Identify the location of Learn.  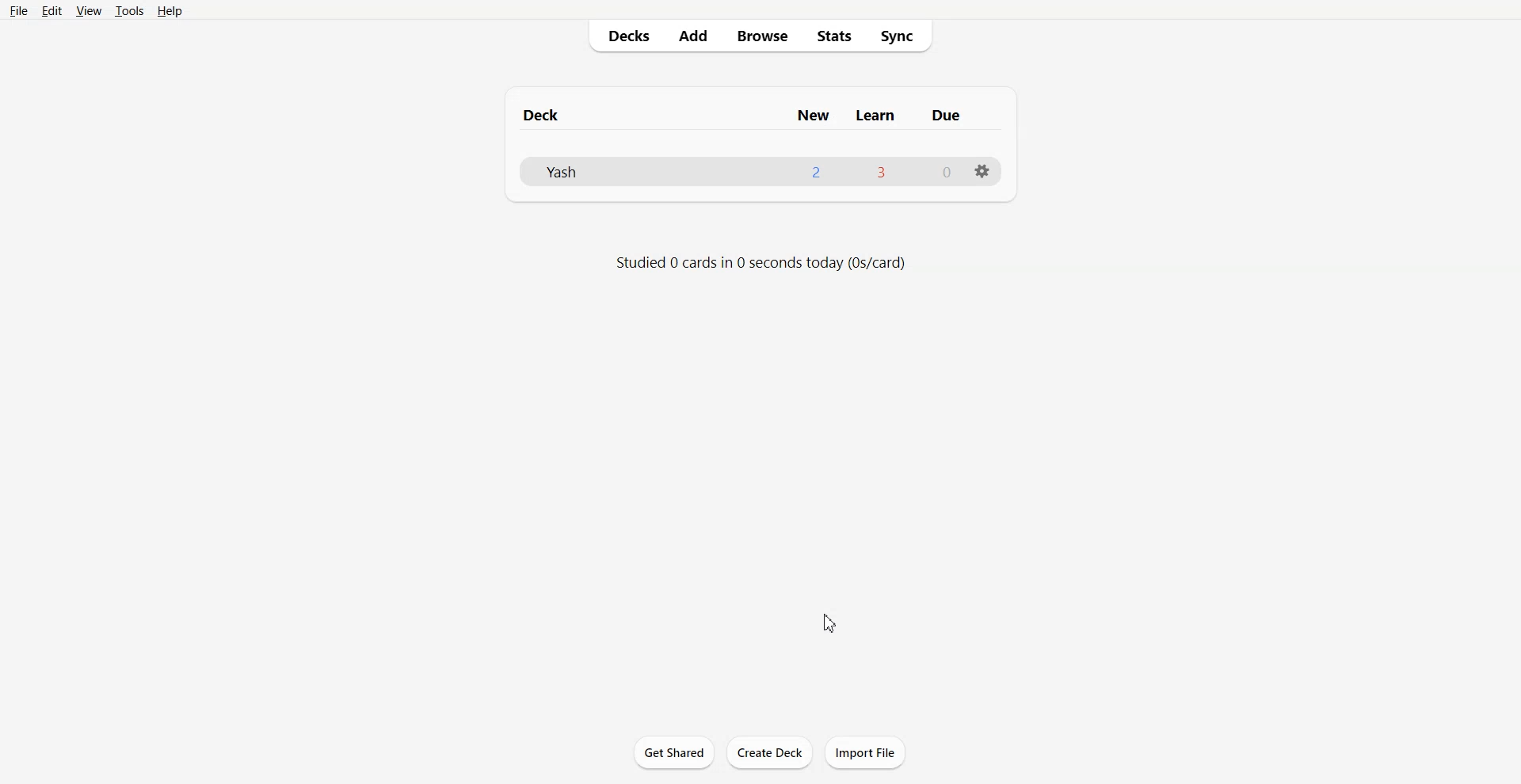
(876, 115).